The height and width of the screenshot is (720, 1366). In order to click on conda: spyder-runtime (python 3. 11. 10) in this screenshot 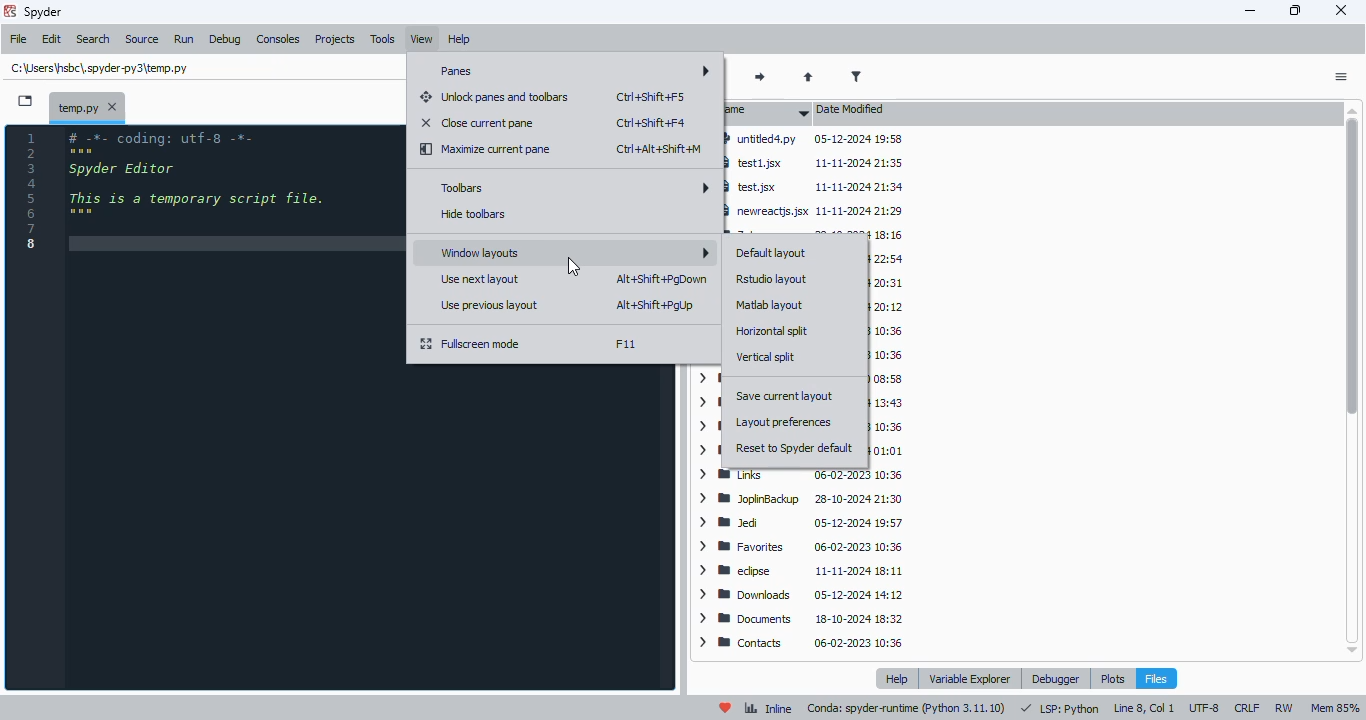, I will do `click(907, 709)`.